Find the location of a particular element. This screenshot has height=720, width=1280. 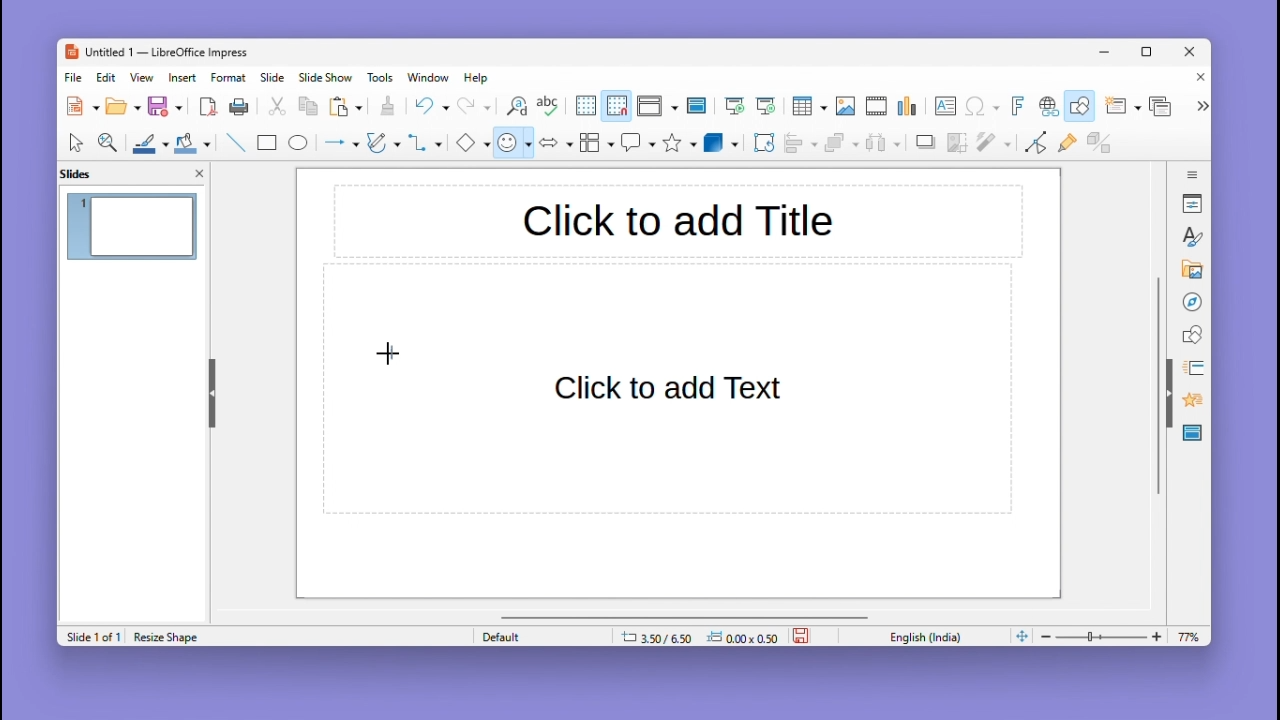

copy format is located at coordinates (386, 108).